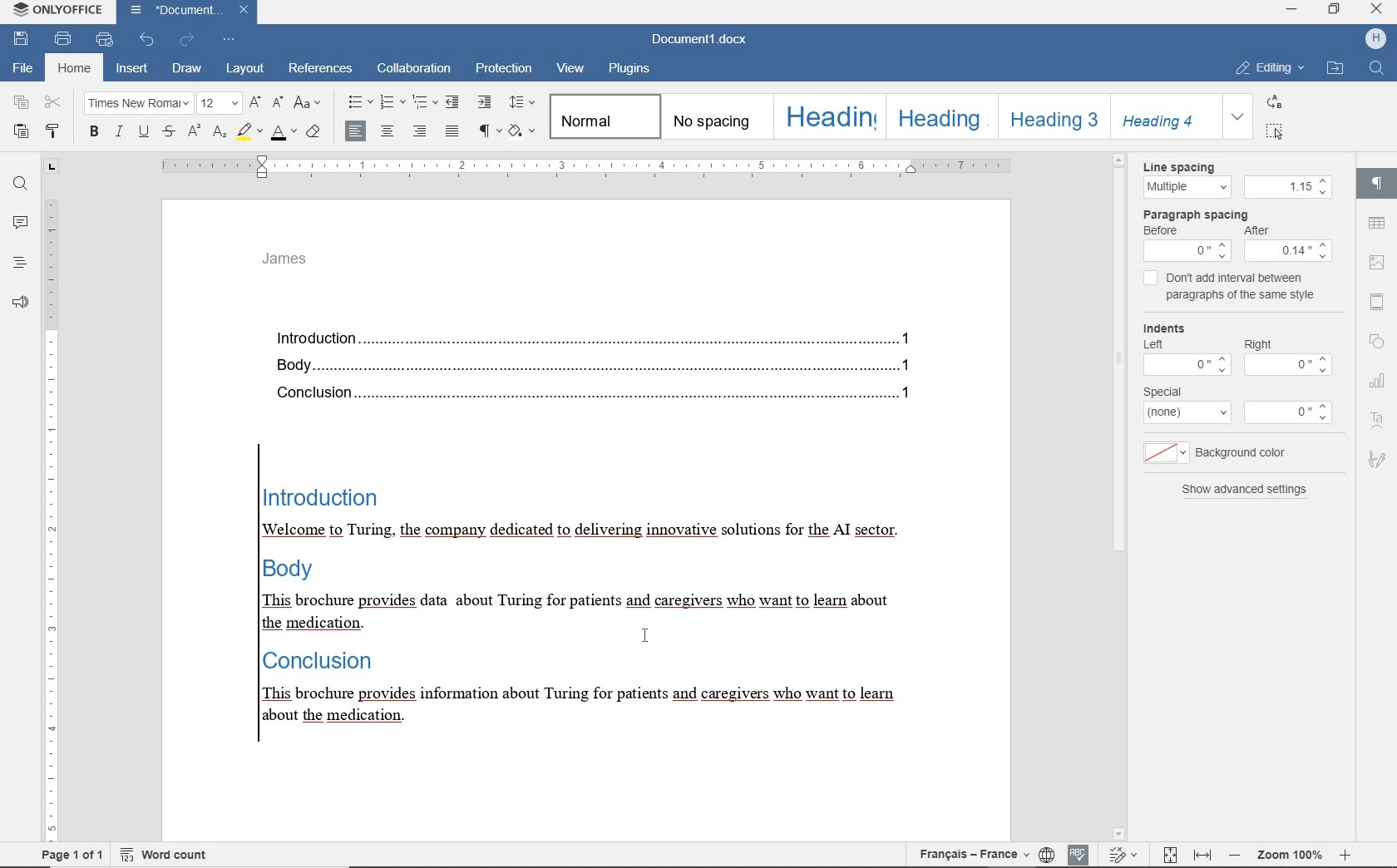 The width and height of the screenshot is (1397, 868). Describe the element at coordinates (1237, 118) in the screenshot. I see `expand` at that location.